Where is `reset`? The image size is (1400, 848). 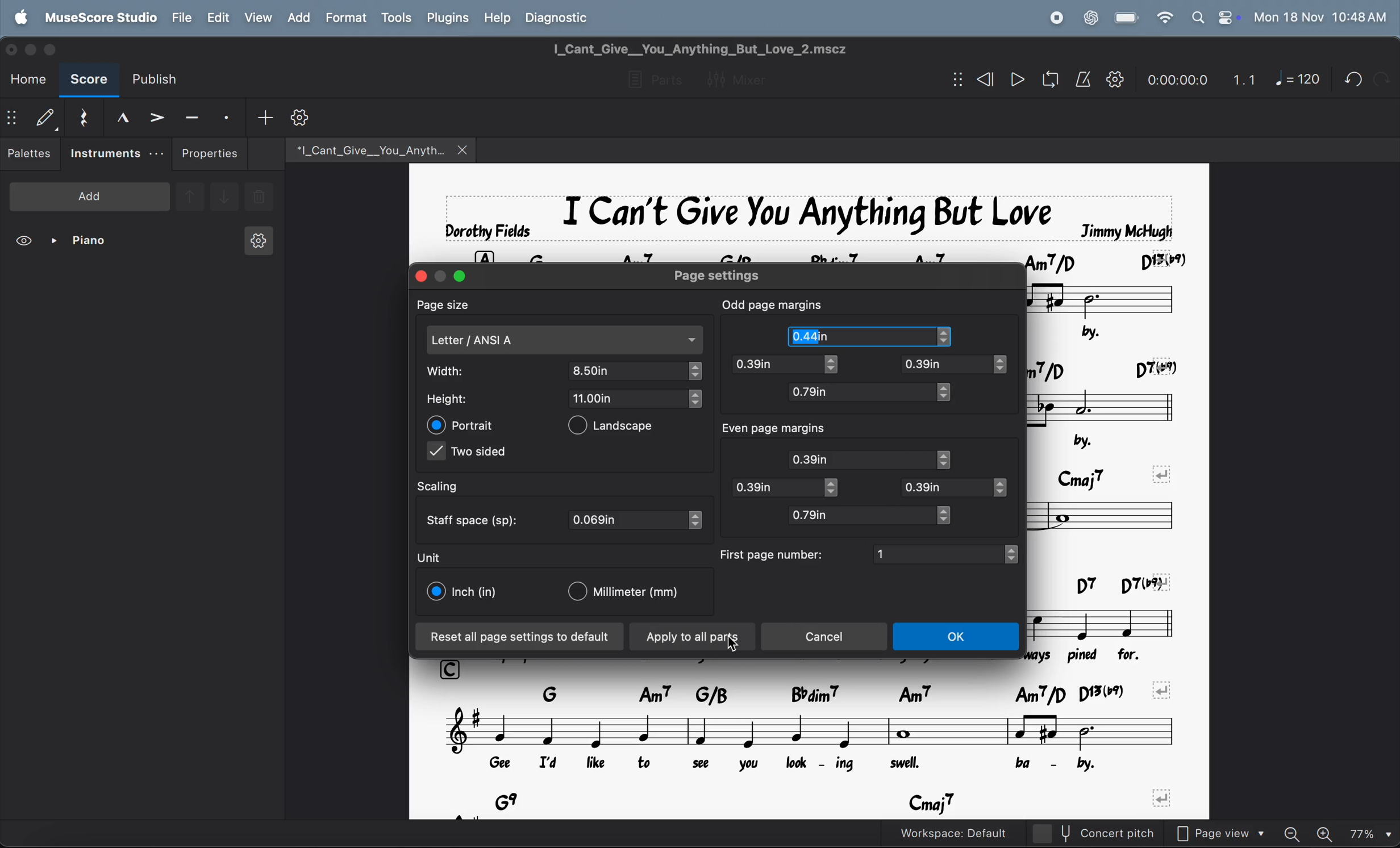 reset is located at coordinates (82, 115).